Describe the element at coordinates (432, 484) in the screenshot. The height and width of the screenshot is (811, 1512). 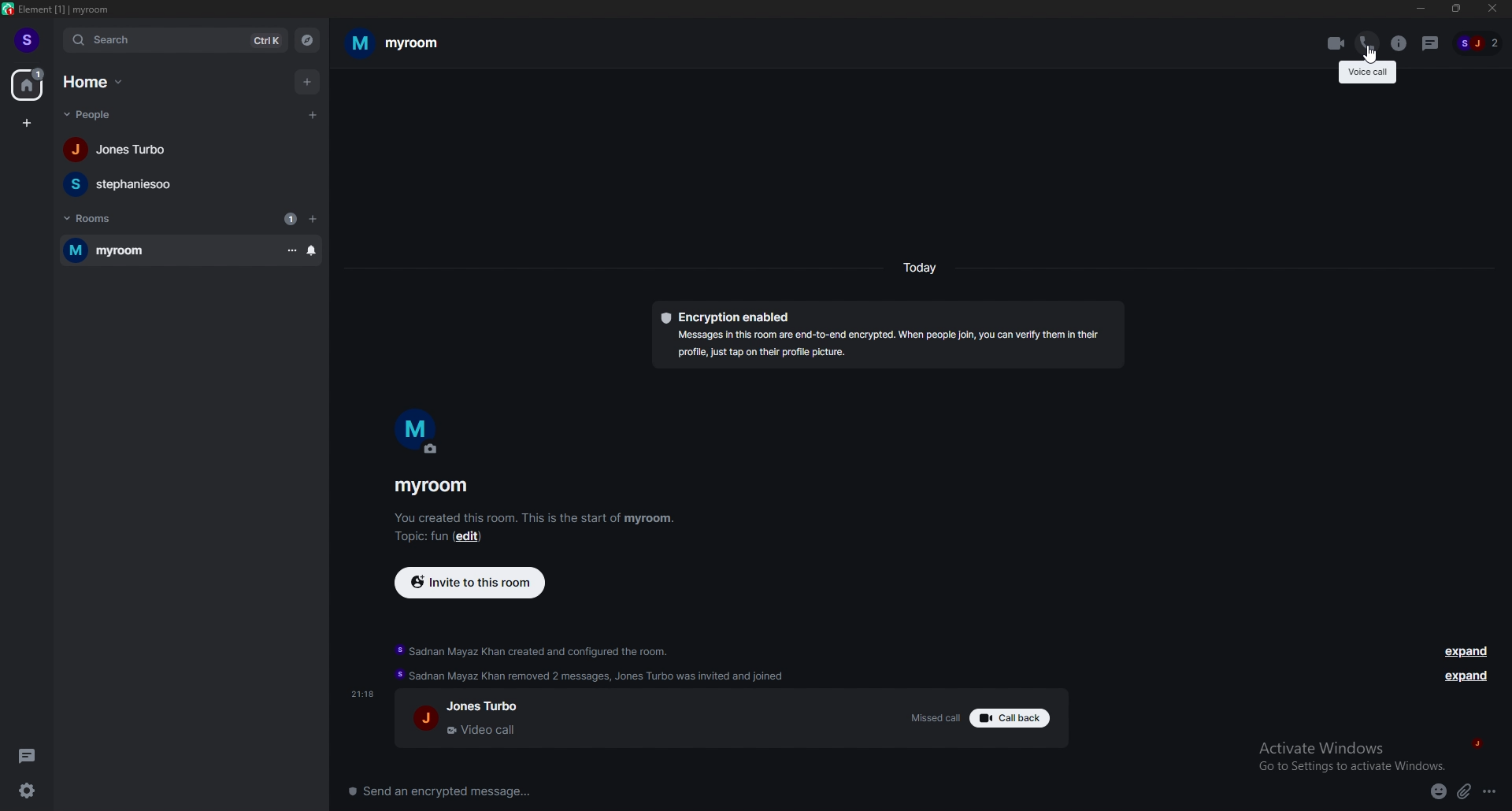
I see `myroom` at that location.